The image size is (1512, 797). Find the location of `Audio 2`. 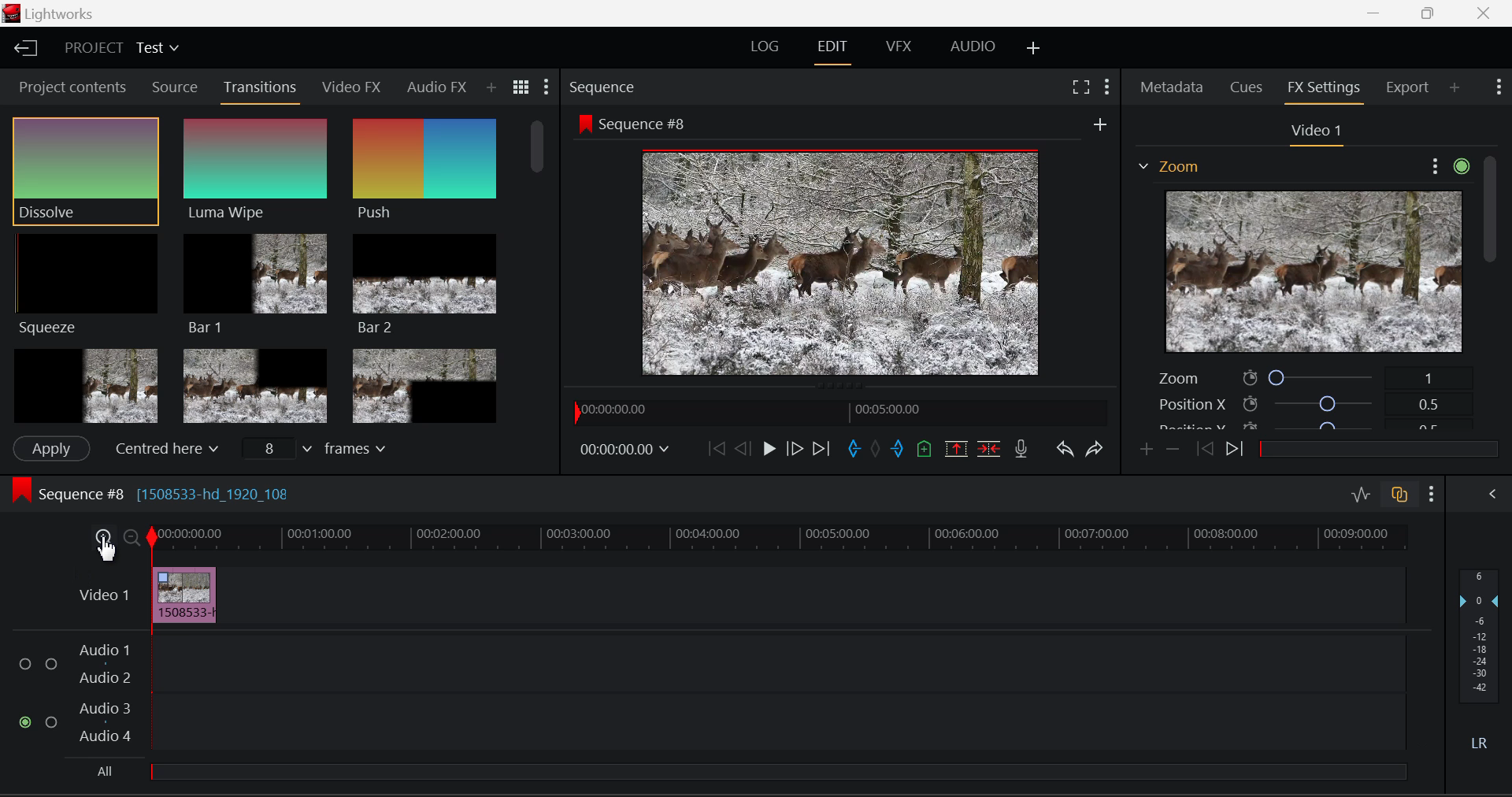

Audio 2 is located at coordinates (105, 678).